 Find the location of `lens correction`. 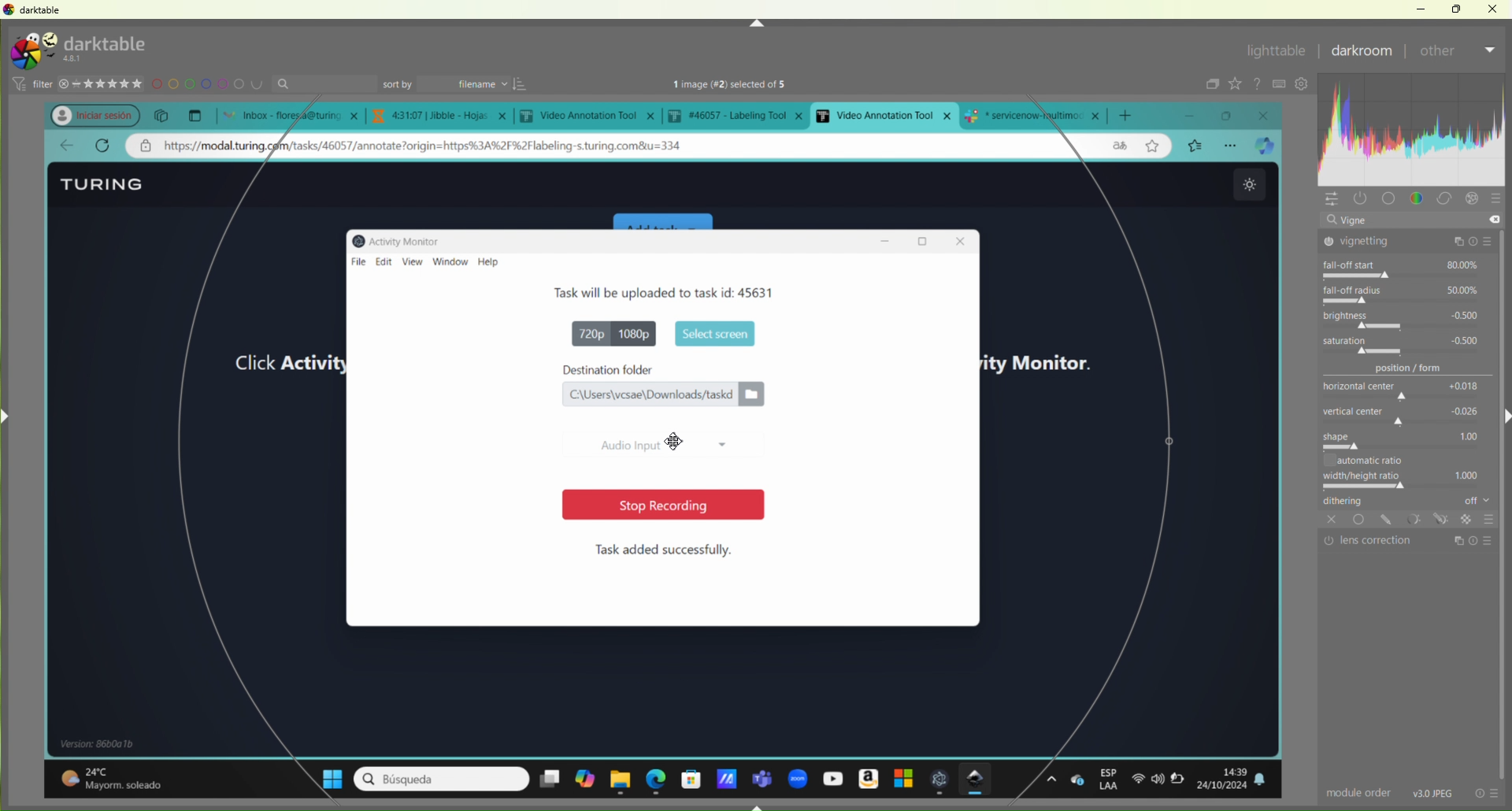

lens correction is located at coordinates (1408, 540).